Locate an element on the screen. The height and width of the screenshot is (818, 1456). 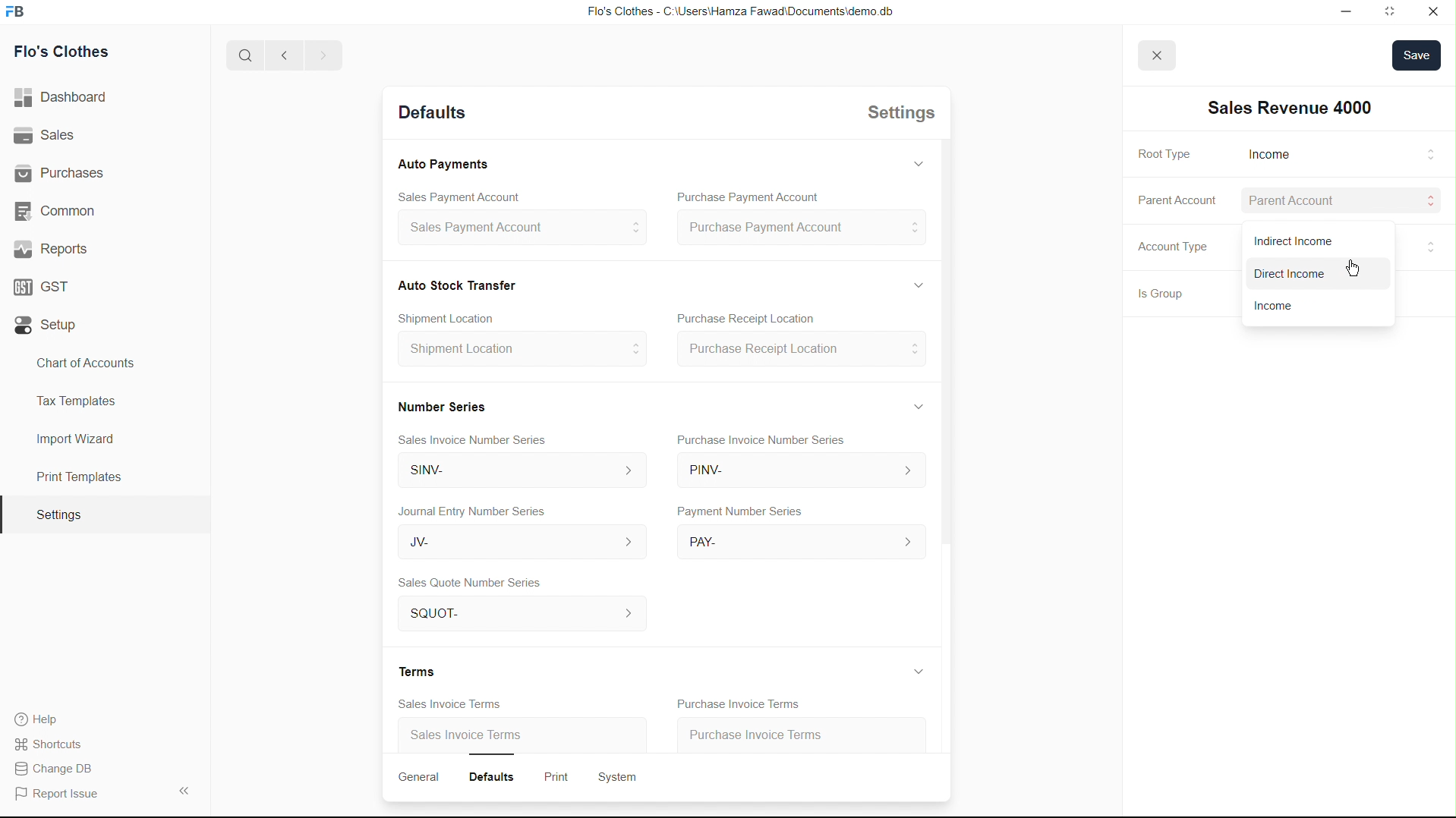
Chart of Accounts is located at coordinates (81, 363).